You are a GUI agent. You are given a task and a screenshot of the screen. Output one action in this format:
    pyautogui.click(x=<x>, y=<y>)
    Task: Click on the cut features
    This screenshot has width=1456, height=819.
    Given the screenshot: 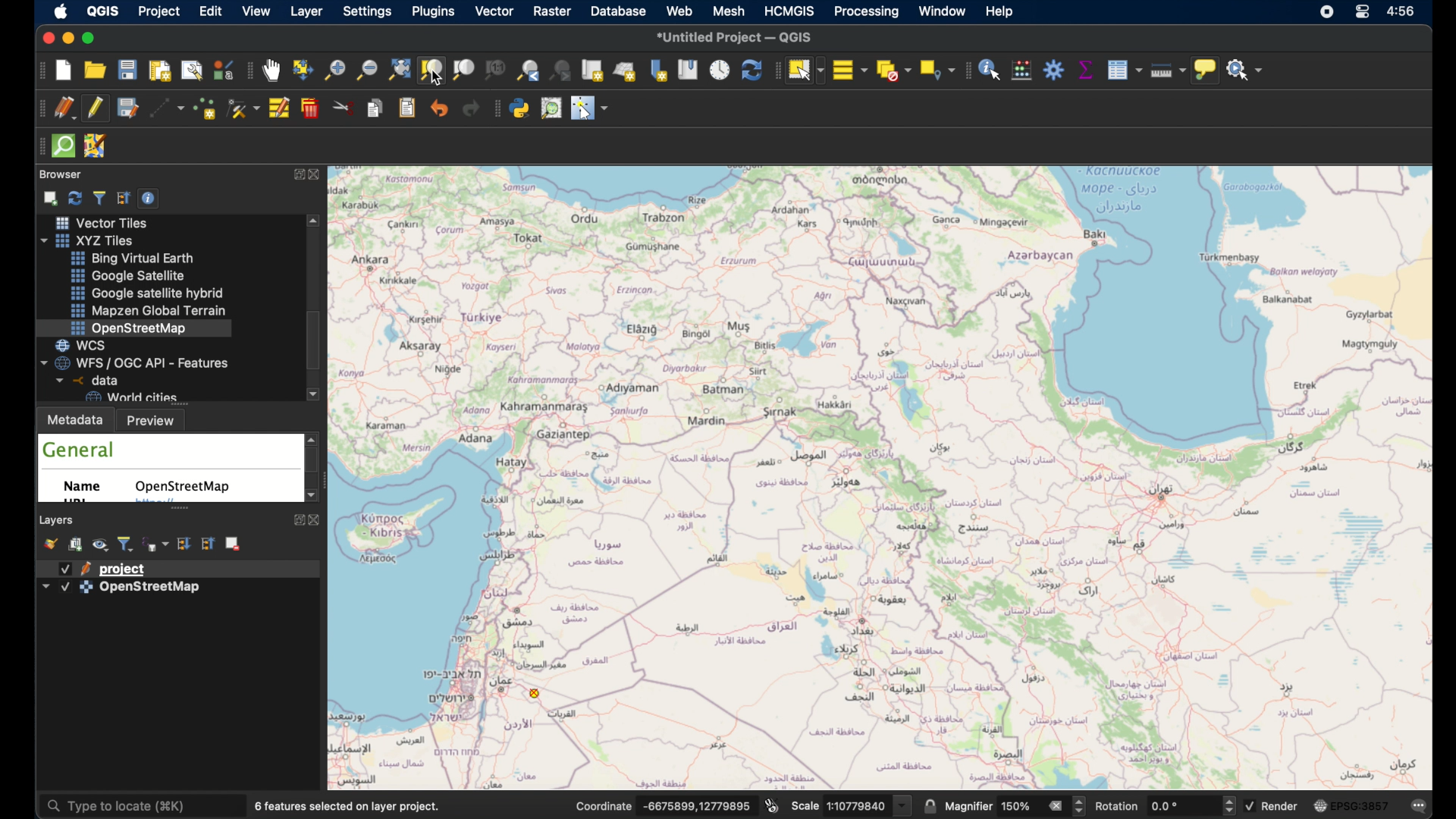 What is the action you would take?
    pyautogui.click(x=344, y=108)
    